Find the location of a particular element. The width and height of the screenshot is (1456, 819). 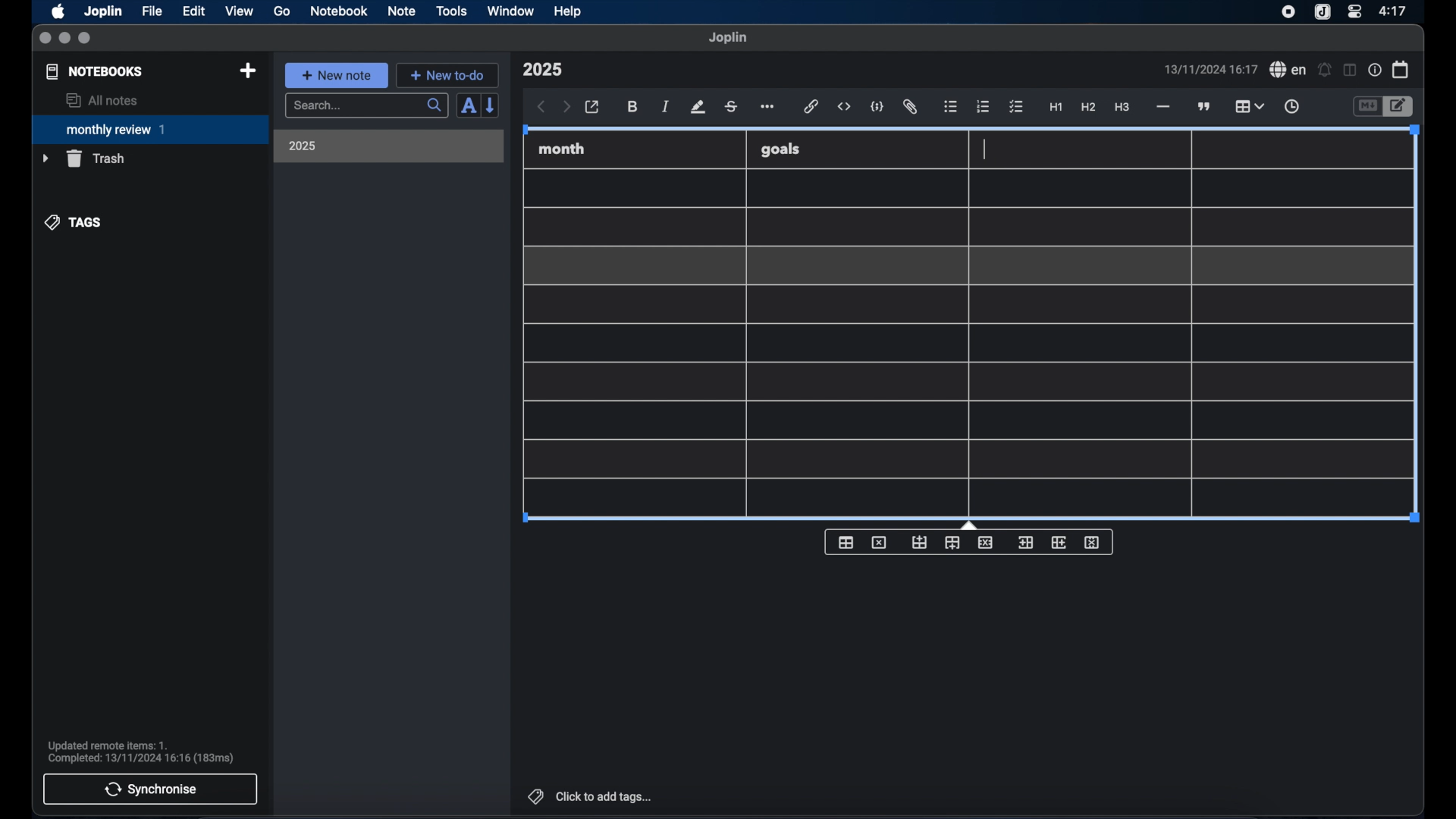

check  list is located at coordinates (1016, 108).